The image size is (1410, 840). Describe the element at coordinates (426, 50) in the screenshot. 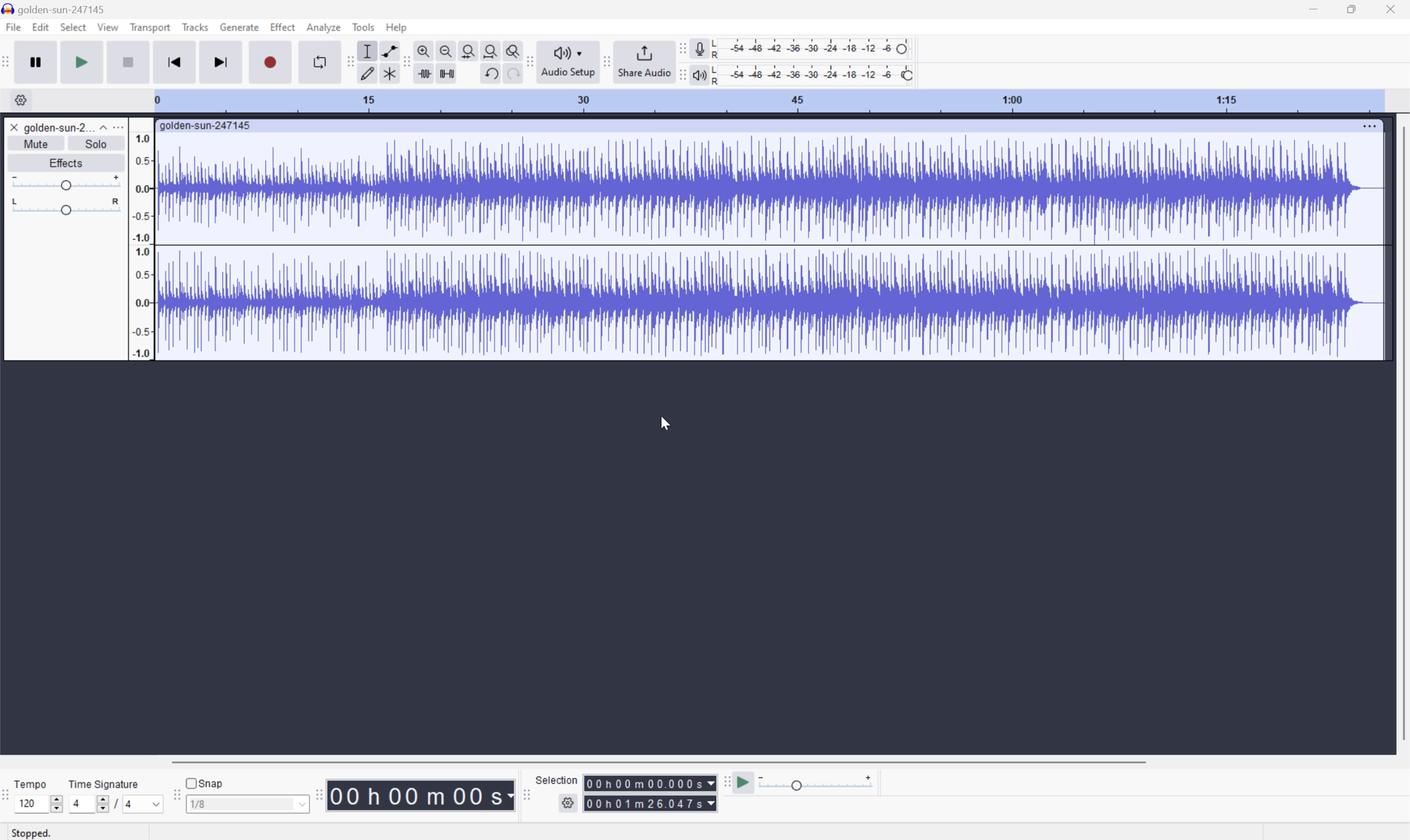

I see `Zoom in` at that location.